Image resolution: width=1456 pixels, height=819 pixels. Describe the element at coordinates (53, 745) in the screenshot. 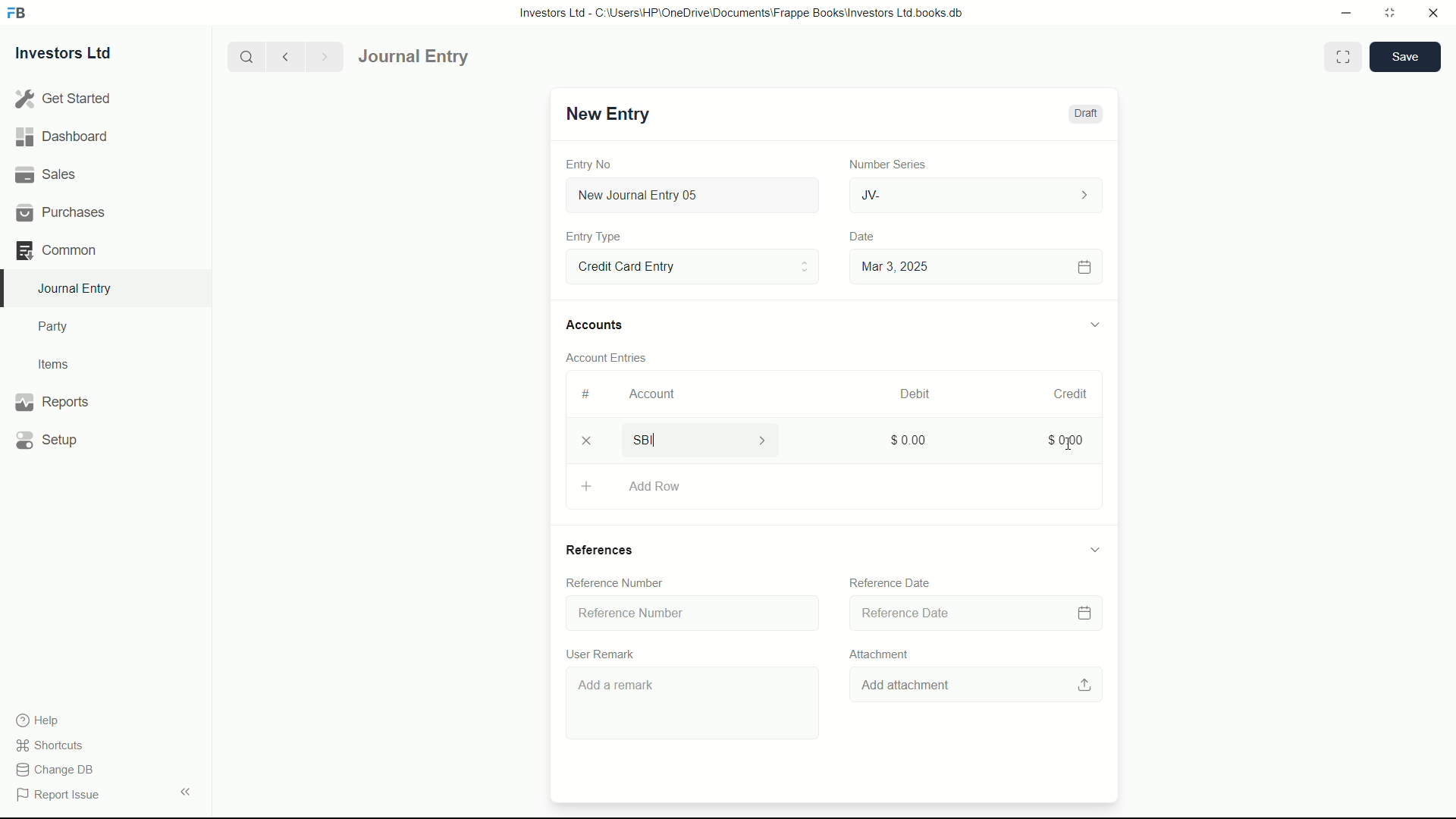

I see `shortcuts` at that location.